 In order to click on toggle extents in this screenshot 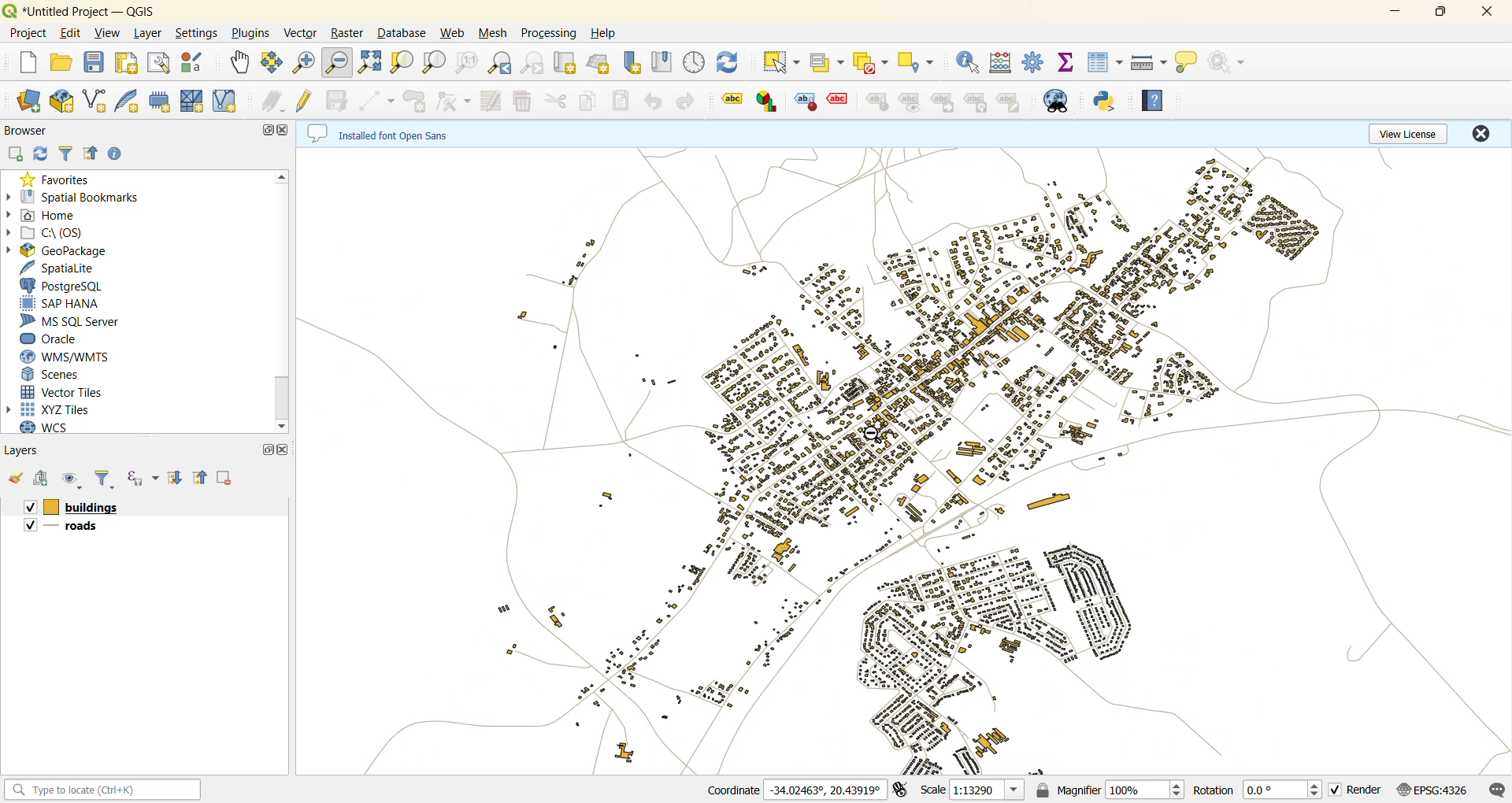, I will do `click(902, 790)`.